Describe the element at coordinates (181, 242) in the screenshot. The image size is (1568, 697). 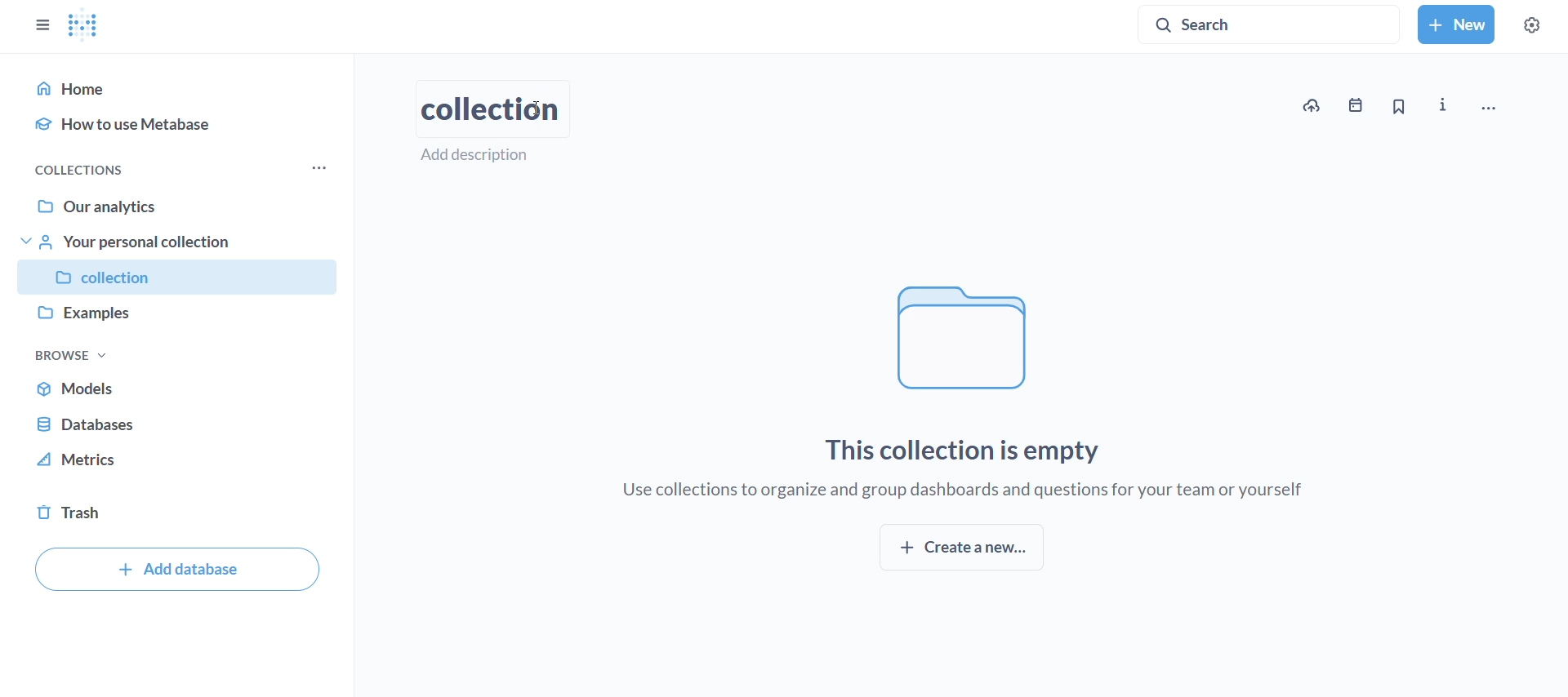
I see `your personal collection` at that location.